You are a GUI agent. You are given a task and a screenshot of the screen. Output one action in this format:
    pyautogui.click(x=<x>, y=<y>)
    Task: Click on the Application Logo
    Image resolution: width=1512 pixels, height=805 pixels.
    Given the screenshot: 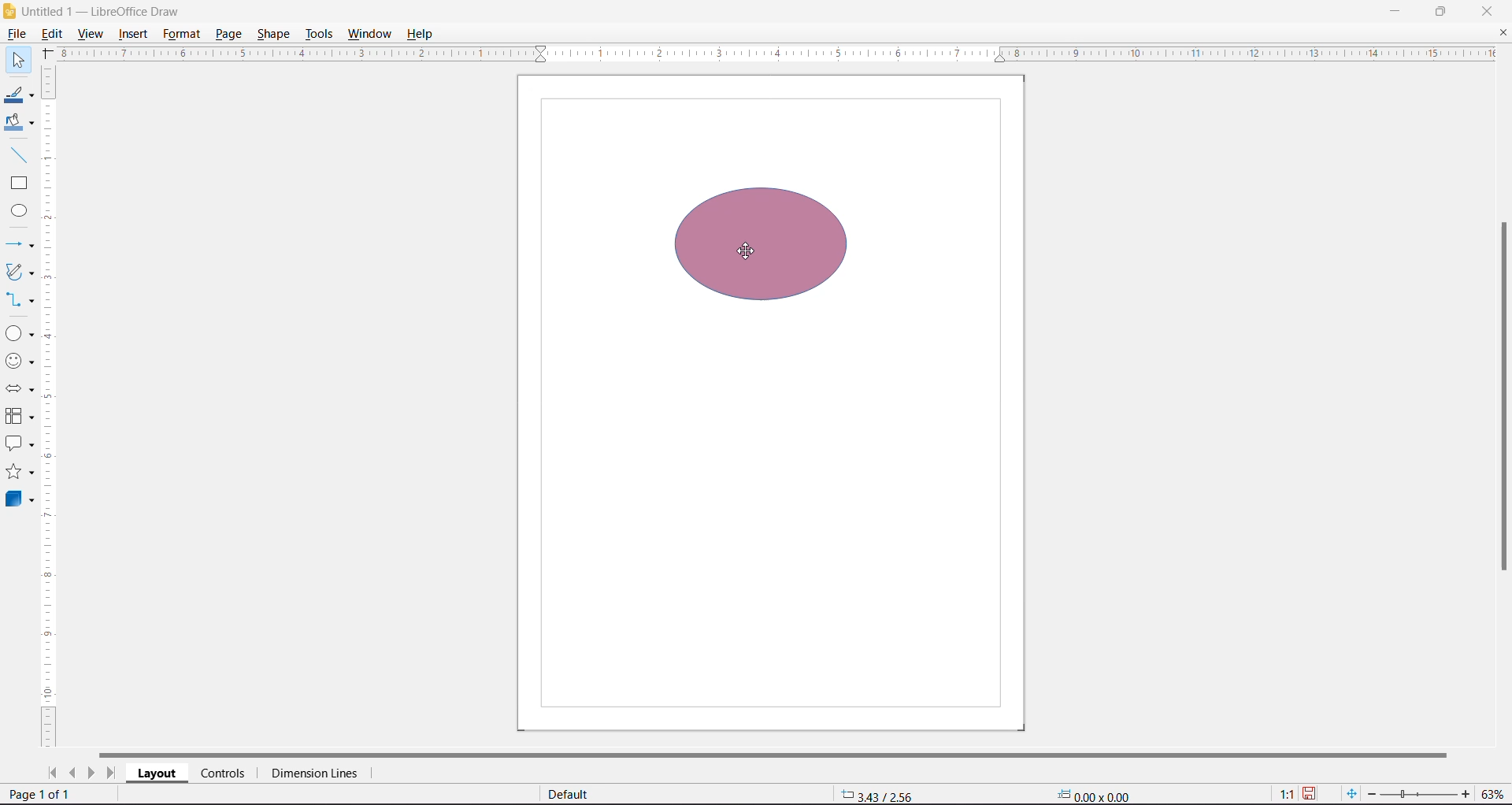 What is the action you would take?
    pyautogui.click(x=9, y=10)
    